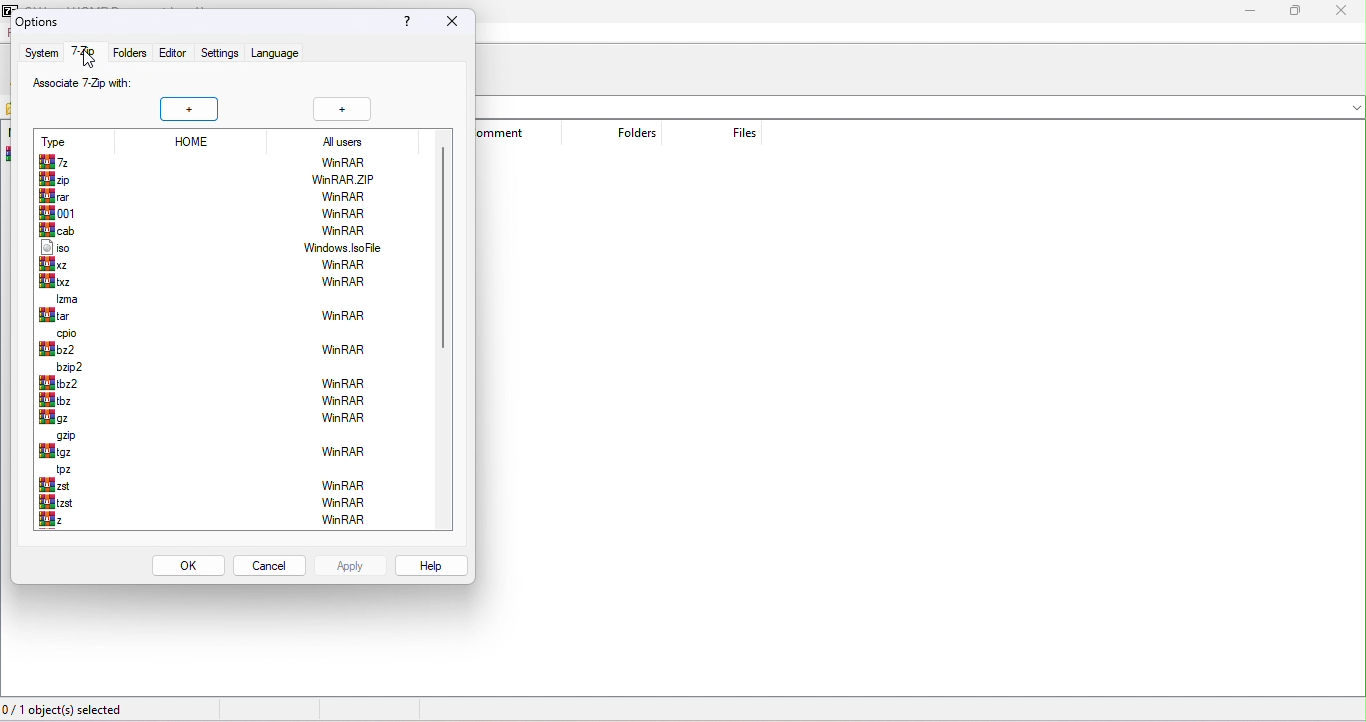 The width and height of the screenshot is (1366, 722). What do you see at coordinates (196, 143) in the screenshot?
I see `home` at bounding box center [196, 143].